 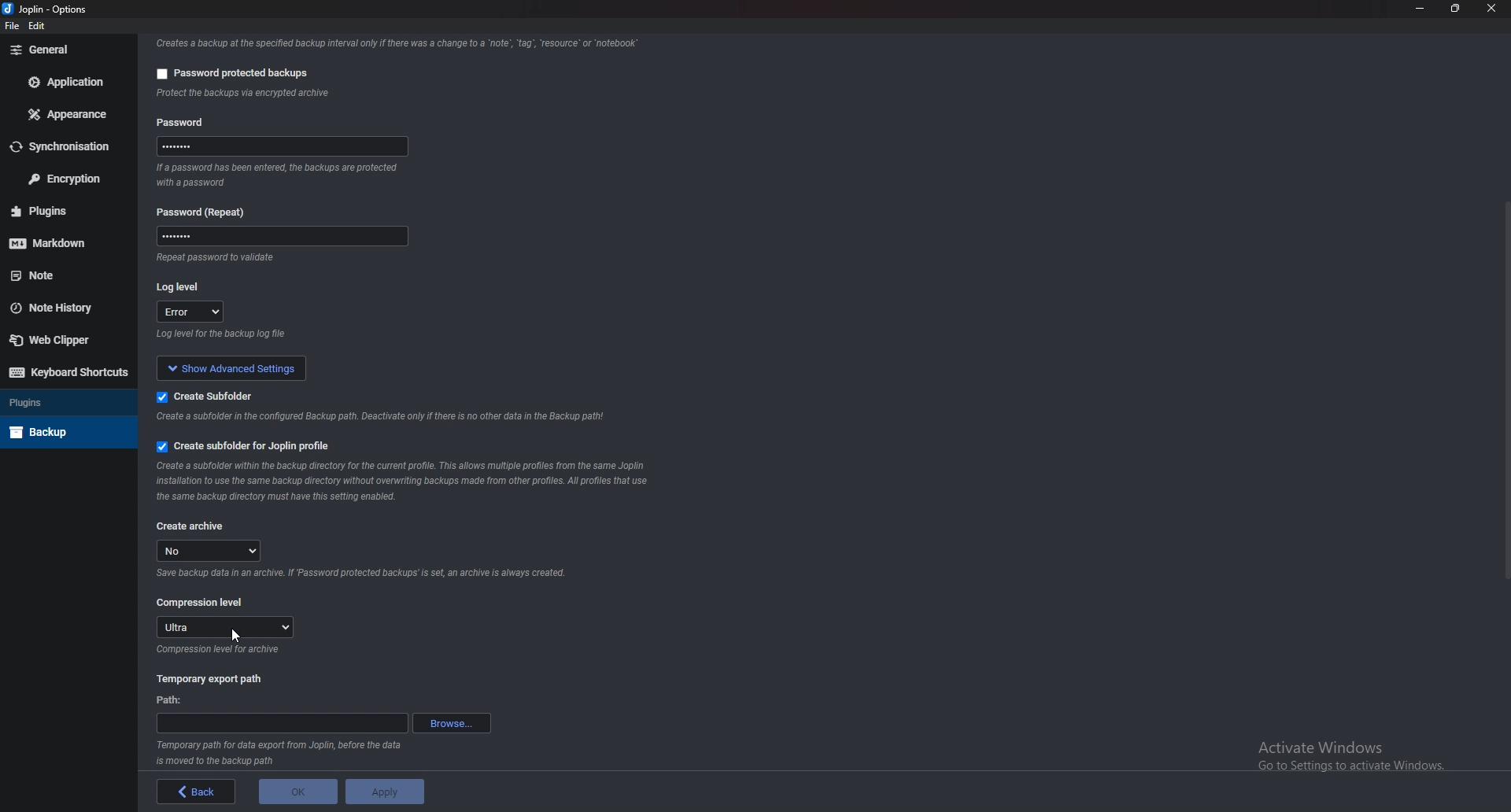 I want to click on Web clipper, so click(x=59, y=339).